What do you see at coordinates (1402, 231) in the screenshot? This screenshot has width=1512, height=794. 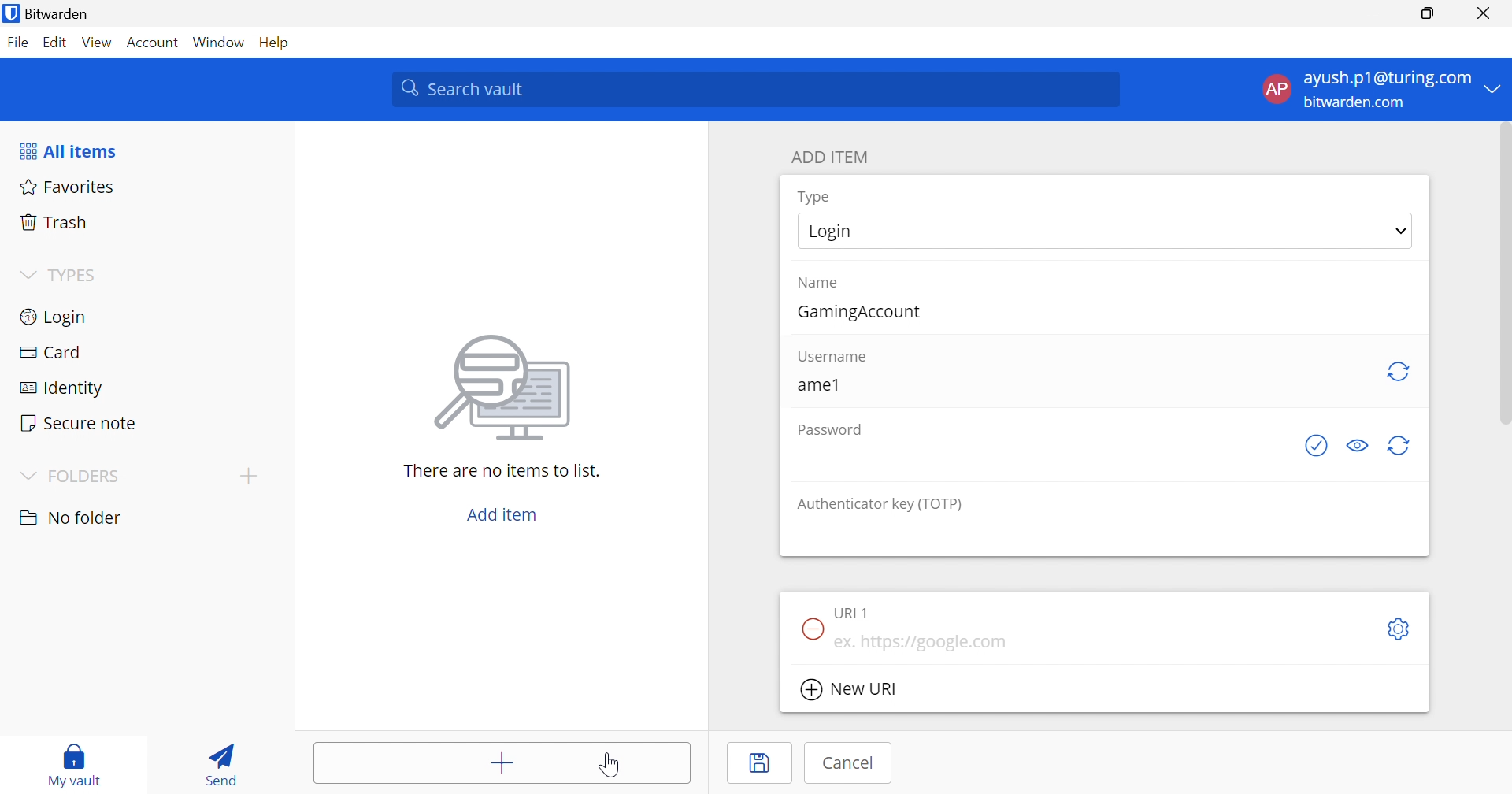 I see `Drop Down` at bounding box center [1402, 231].